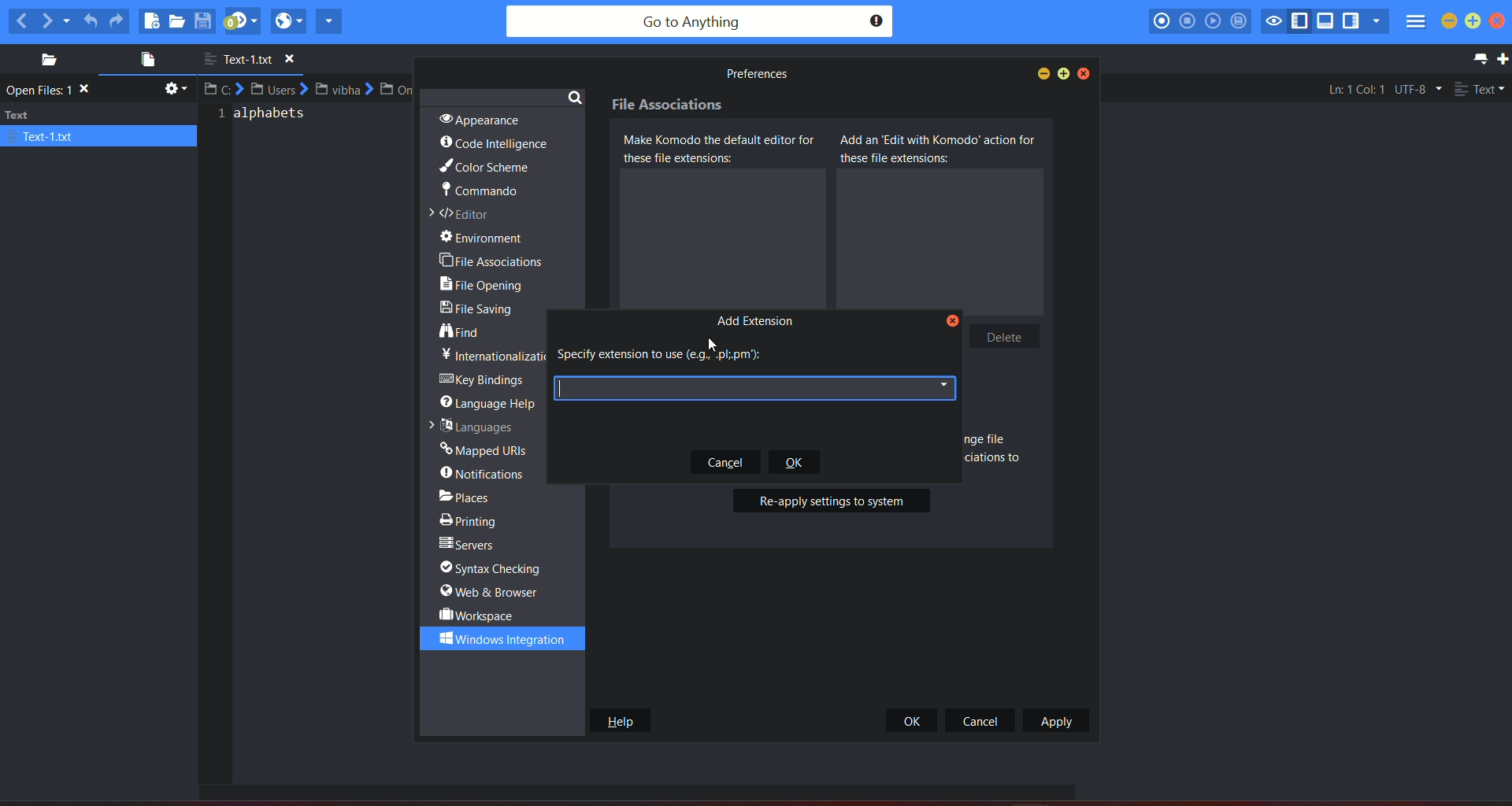  I want to click on save macro, so click(1242, 22).